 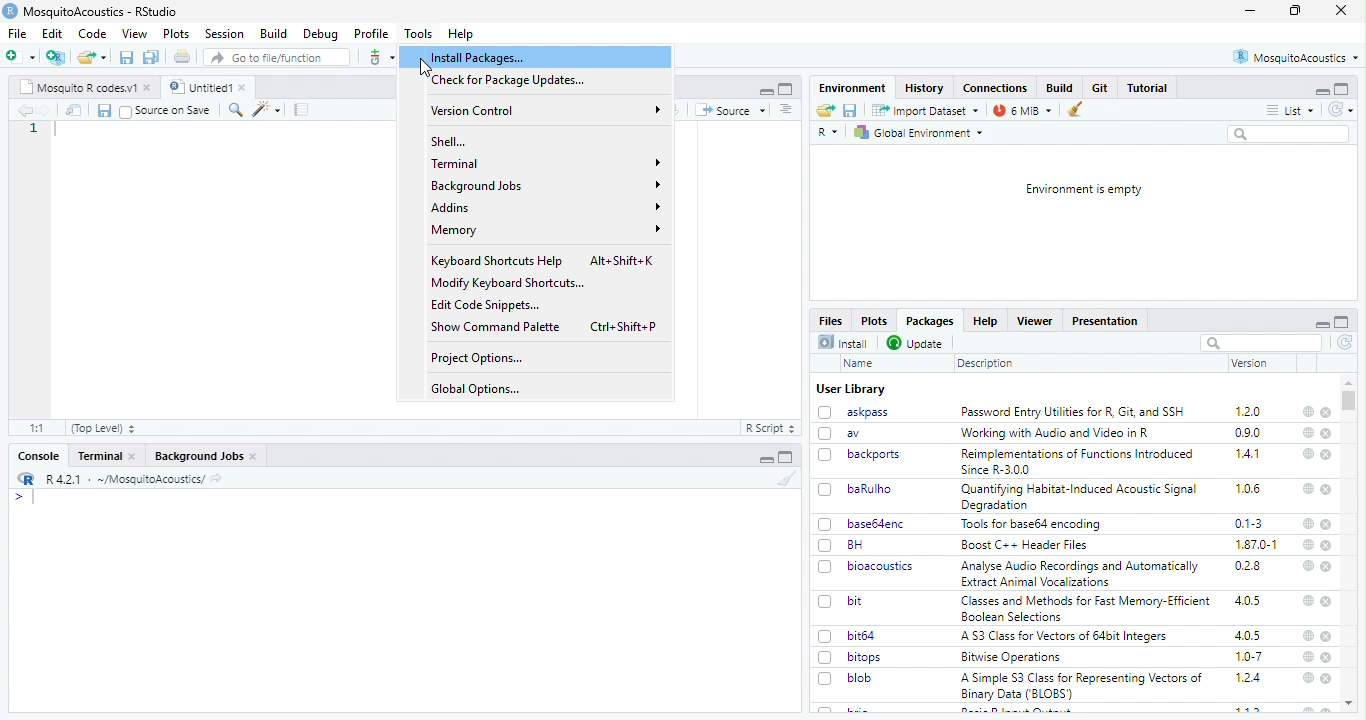 I want to click on Session, so click(x=226, y=34).